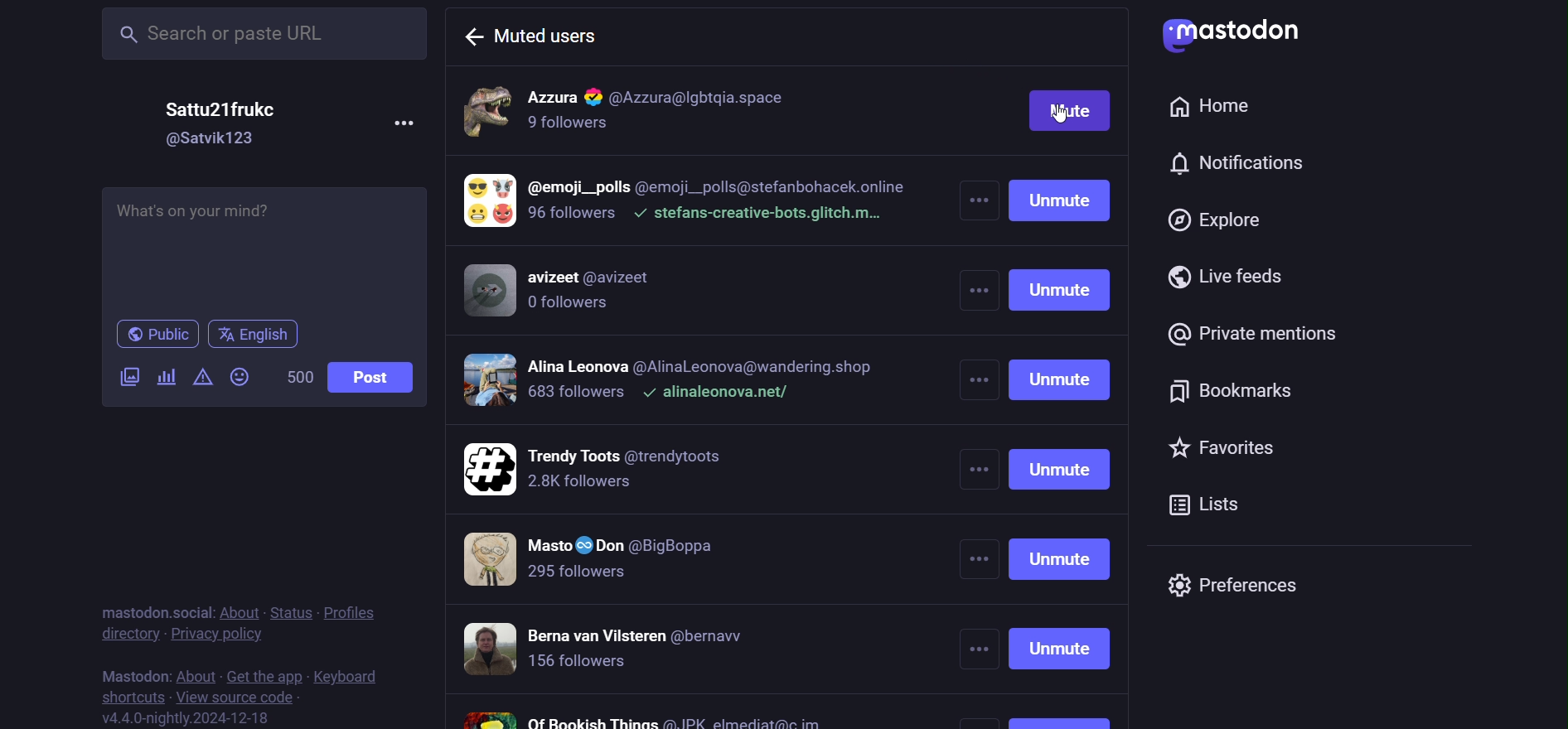 This screenshot has height=729, width=1568. I want to click on favorites, so click(1251, 452).